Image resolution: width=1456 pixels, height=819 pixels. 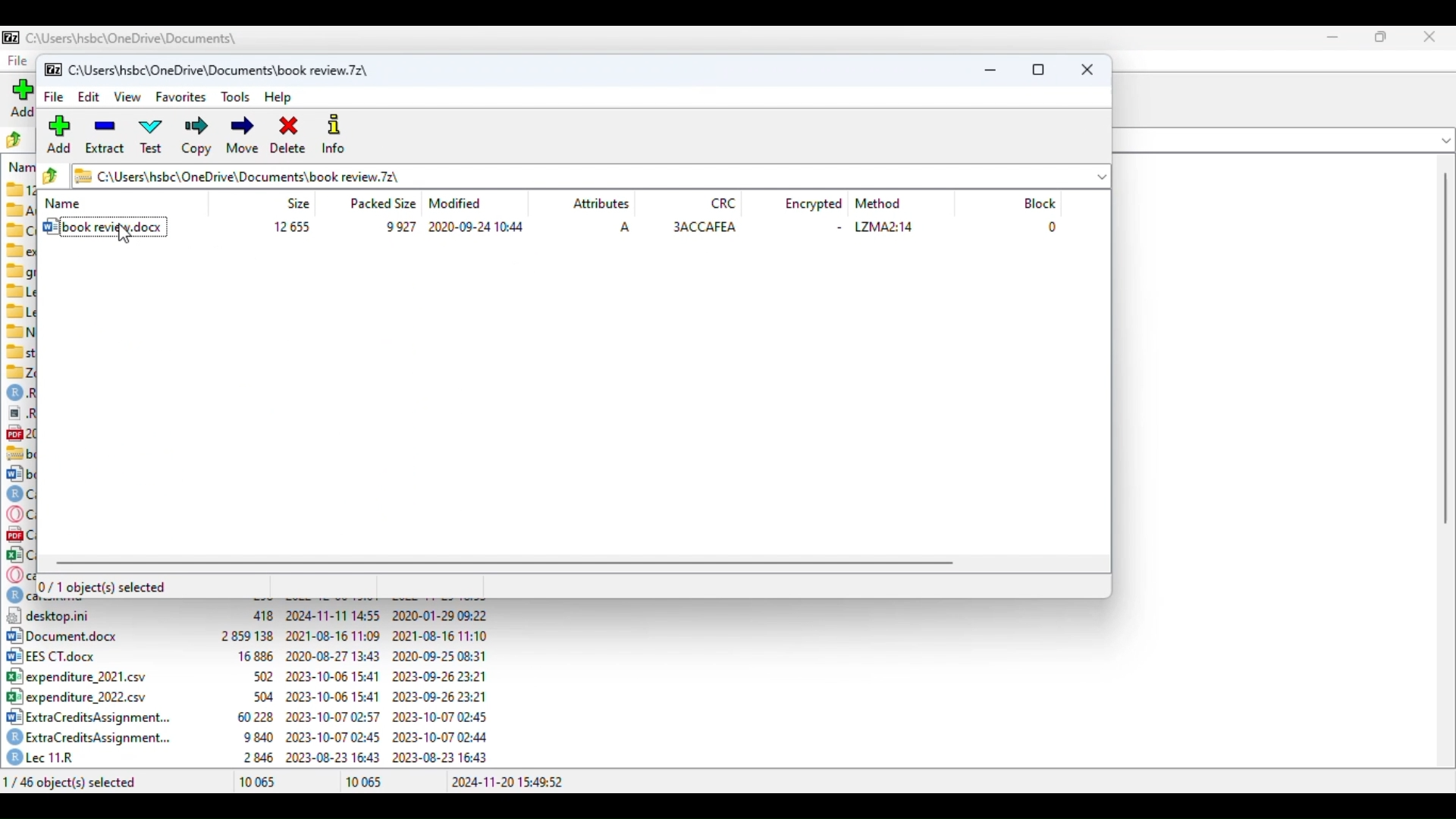 What do you see at coordinates (477, 226) in the screenshot?
I see `2020-09-24 10:44` at bounding box center [477, 226].